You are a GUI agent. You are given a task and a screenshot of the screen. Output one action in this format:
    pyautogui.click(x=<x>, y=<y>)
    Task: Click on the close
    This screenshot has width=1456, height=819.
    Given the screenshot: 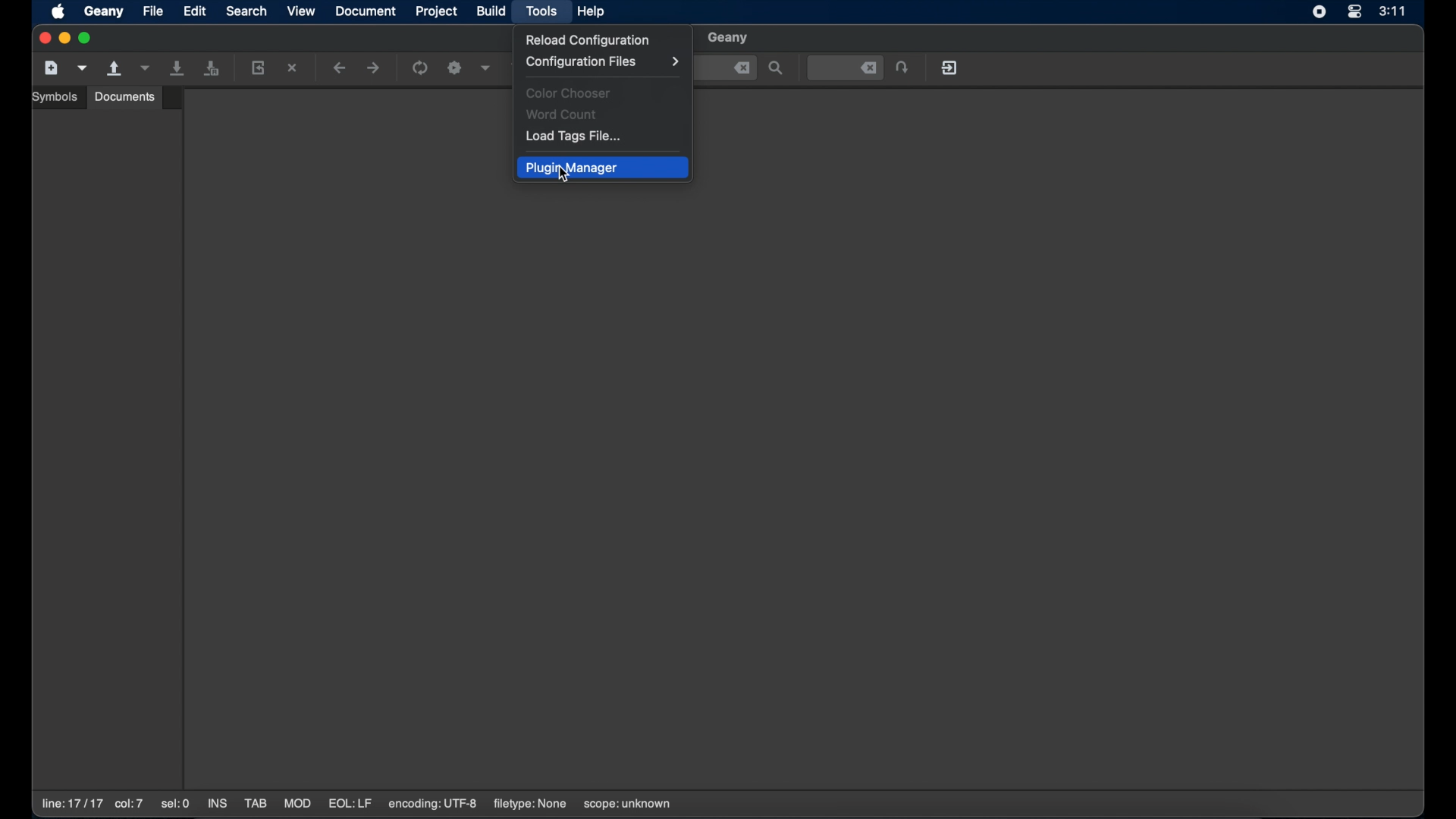 What is the action you would take?
    pyautogui.click(x=43, y=39)
    